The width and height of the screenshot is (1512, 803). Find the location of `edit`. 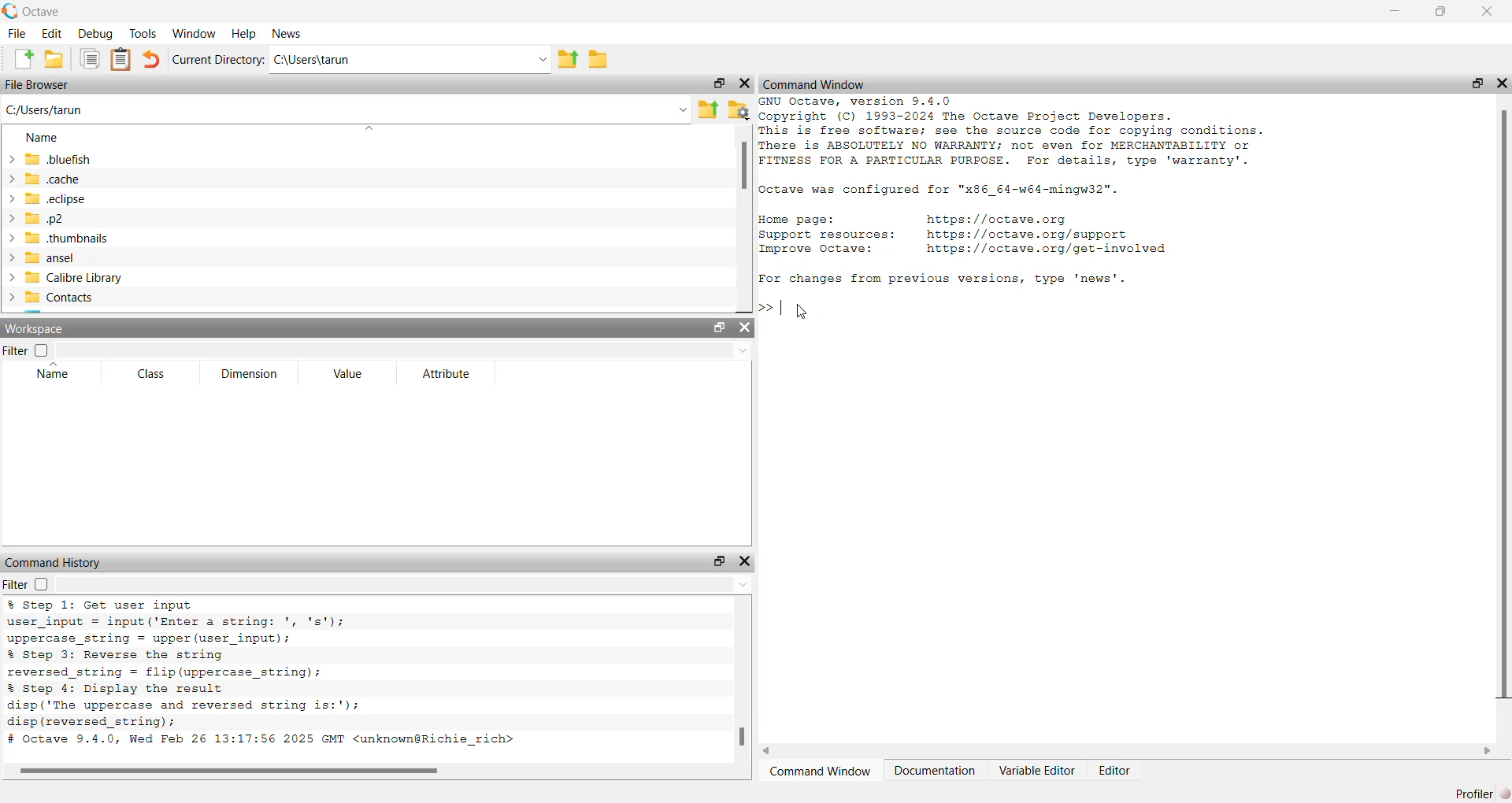

edit is located at coordinates (54, 33).